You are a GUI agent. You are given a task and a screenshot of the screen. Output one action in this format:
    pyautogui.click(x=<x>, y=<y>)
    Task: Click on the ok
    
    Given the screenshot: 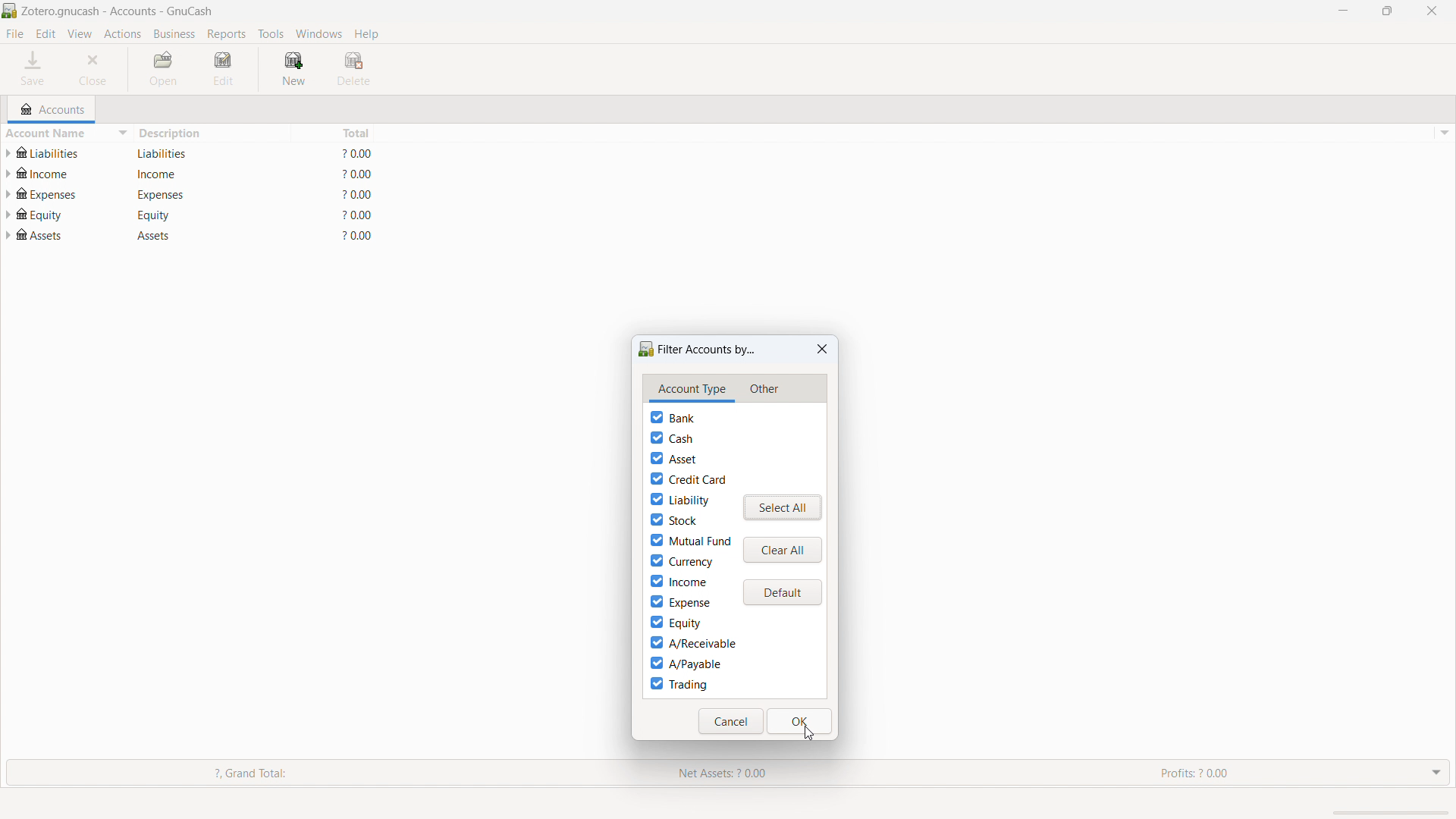 What is the action you would take?
    pyautogui.click(x=799, y=721)
    